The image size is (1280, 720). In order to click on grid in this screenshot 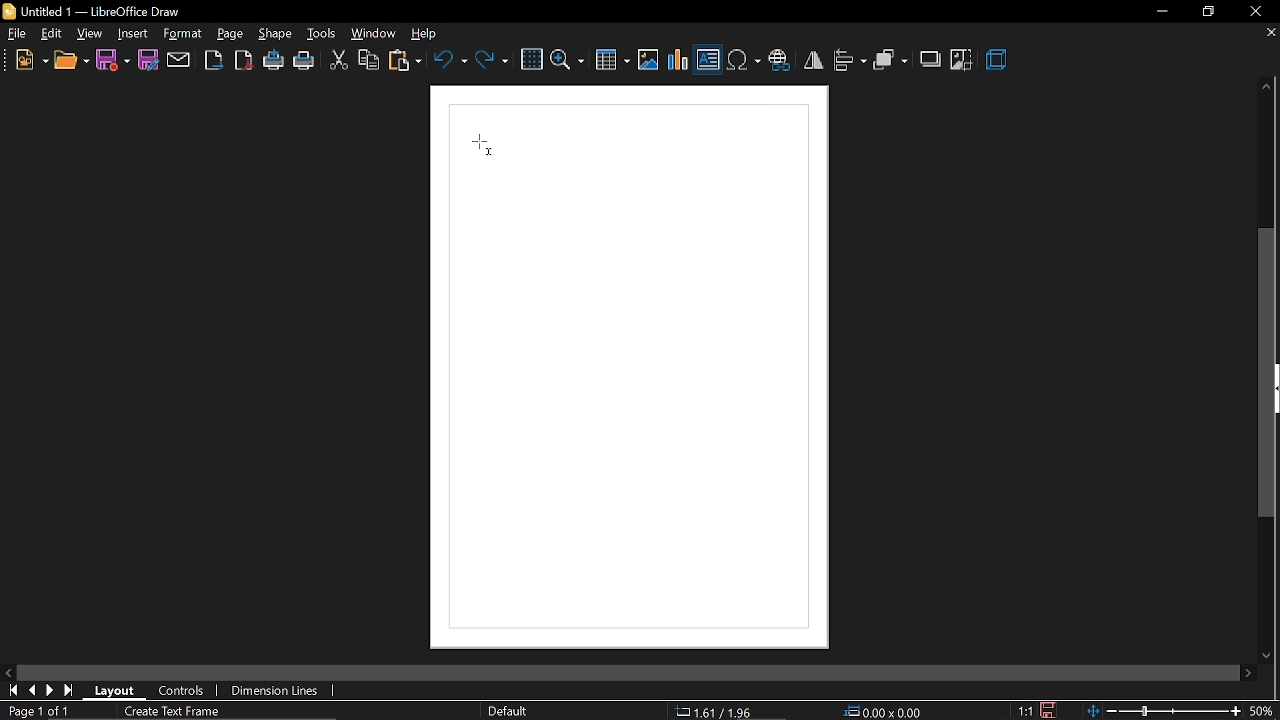, I will do `click(531, 60)`.